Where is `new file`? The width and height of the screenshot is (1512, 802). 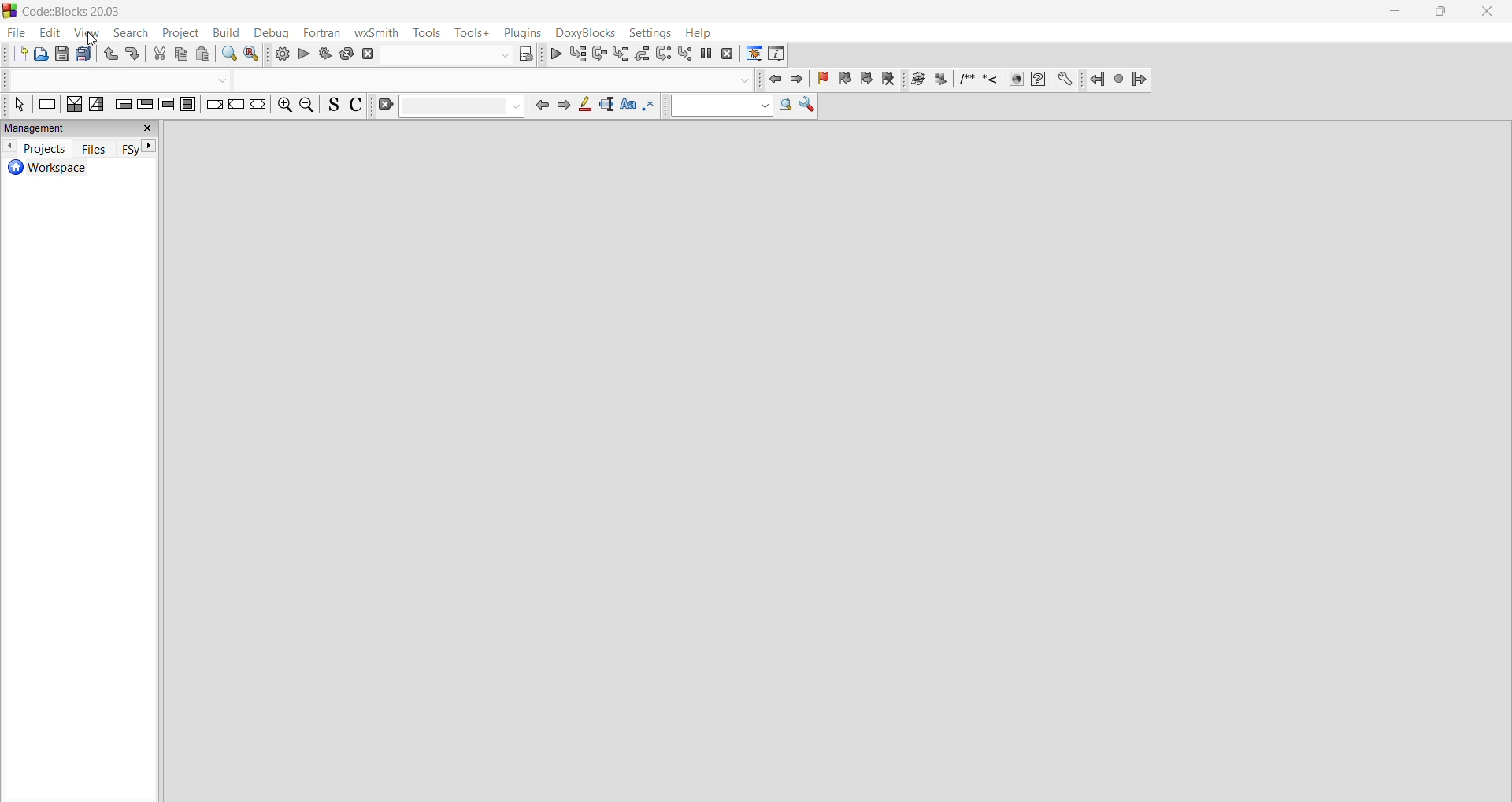 new file is located at coordinates (20, 55).